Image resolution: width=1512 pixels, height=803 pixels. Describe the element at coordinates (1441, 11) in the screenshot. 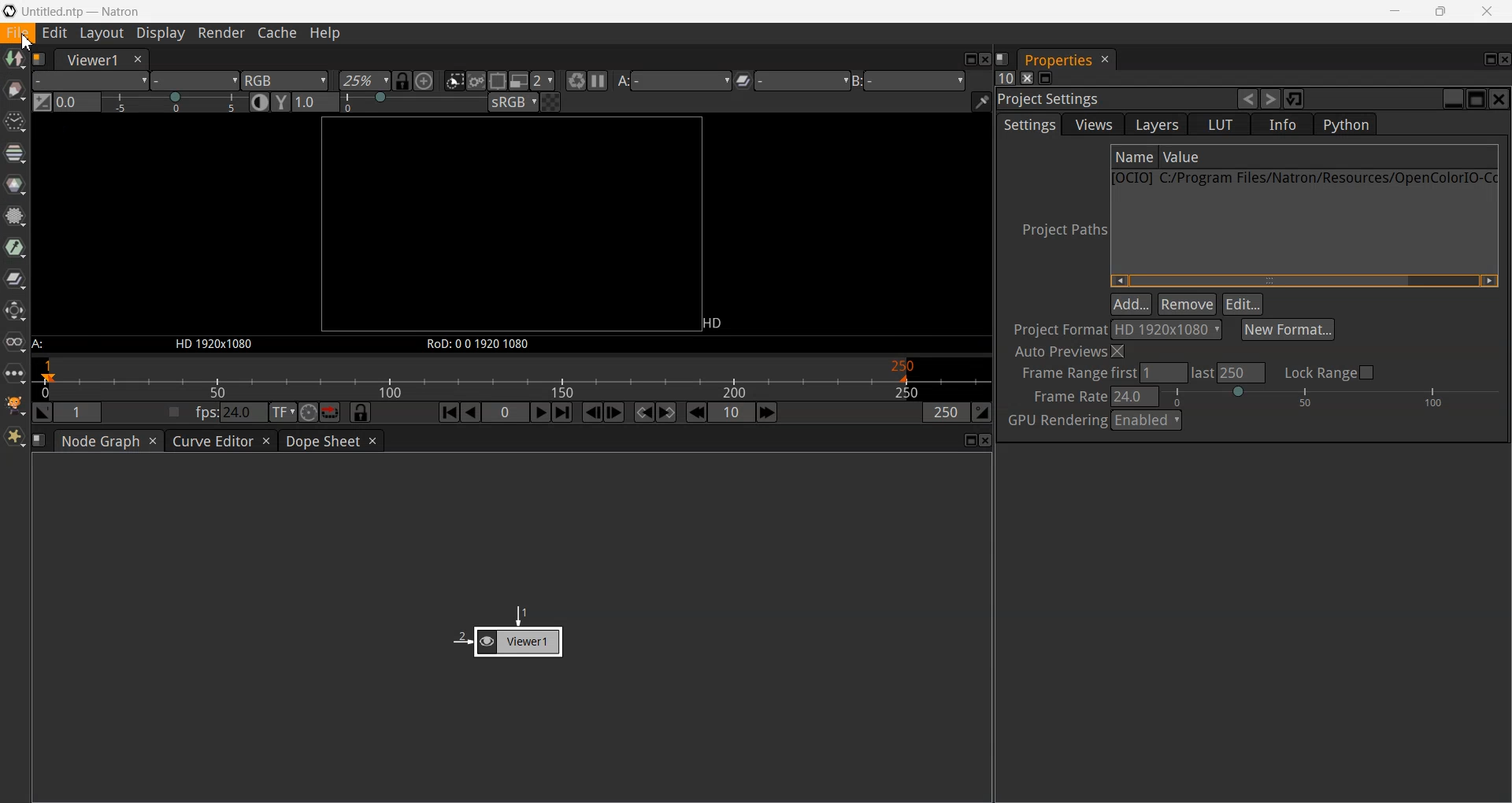

I see `Maximize` at that location.